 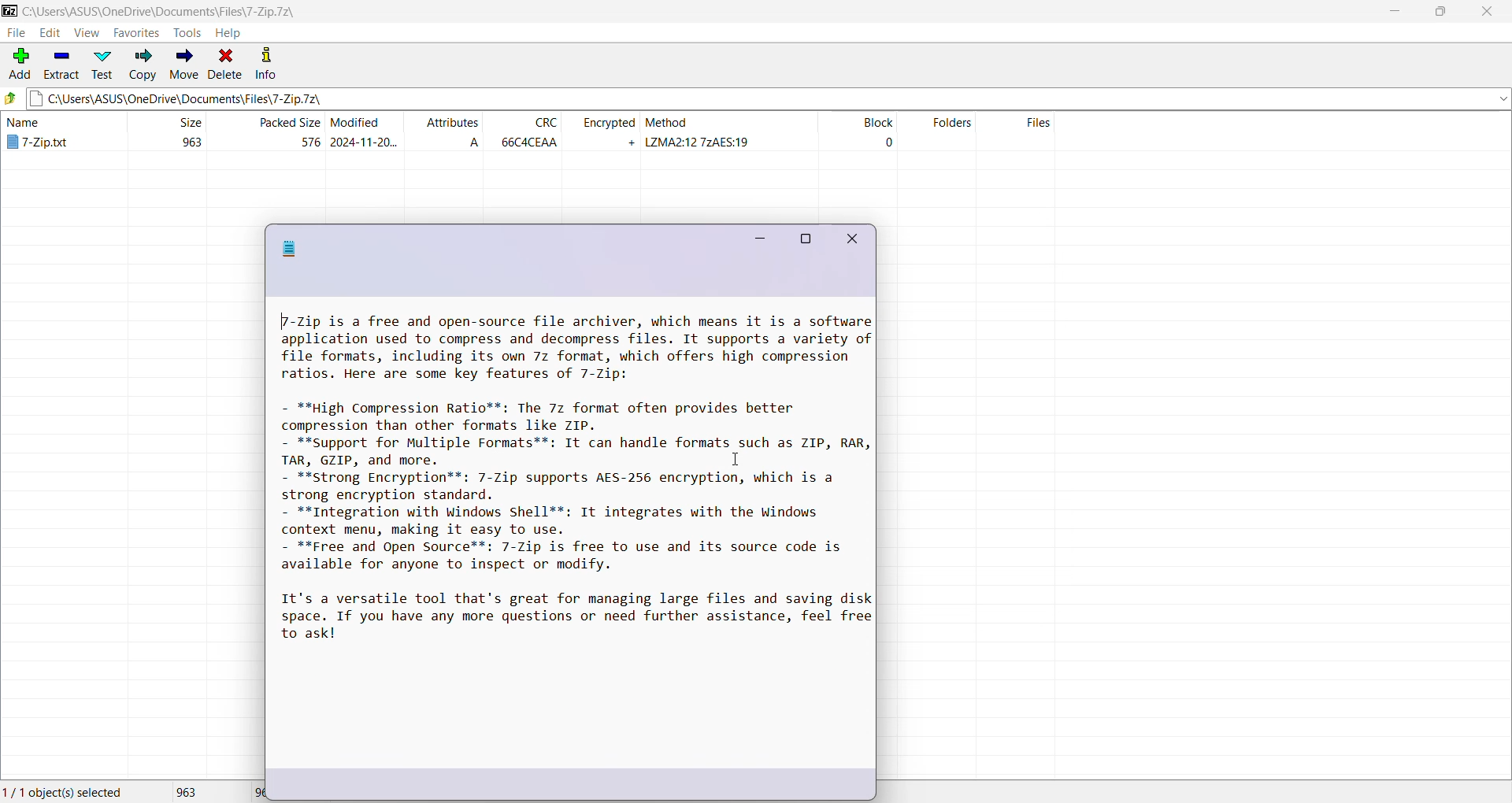 I want to click on Minimize, so click(x=1393, y=12).